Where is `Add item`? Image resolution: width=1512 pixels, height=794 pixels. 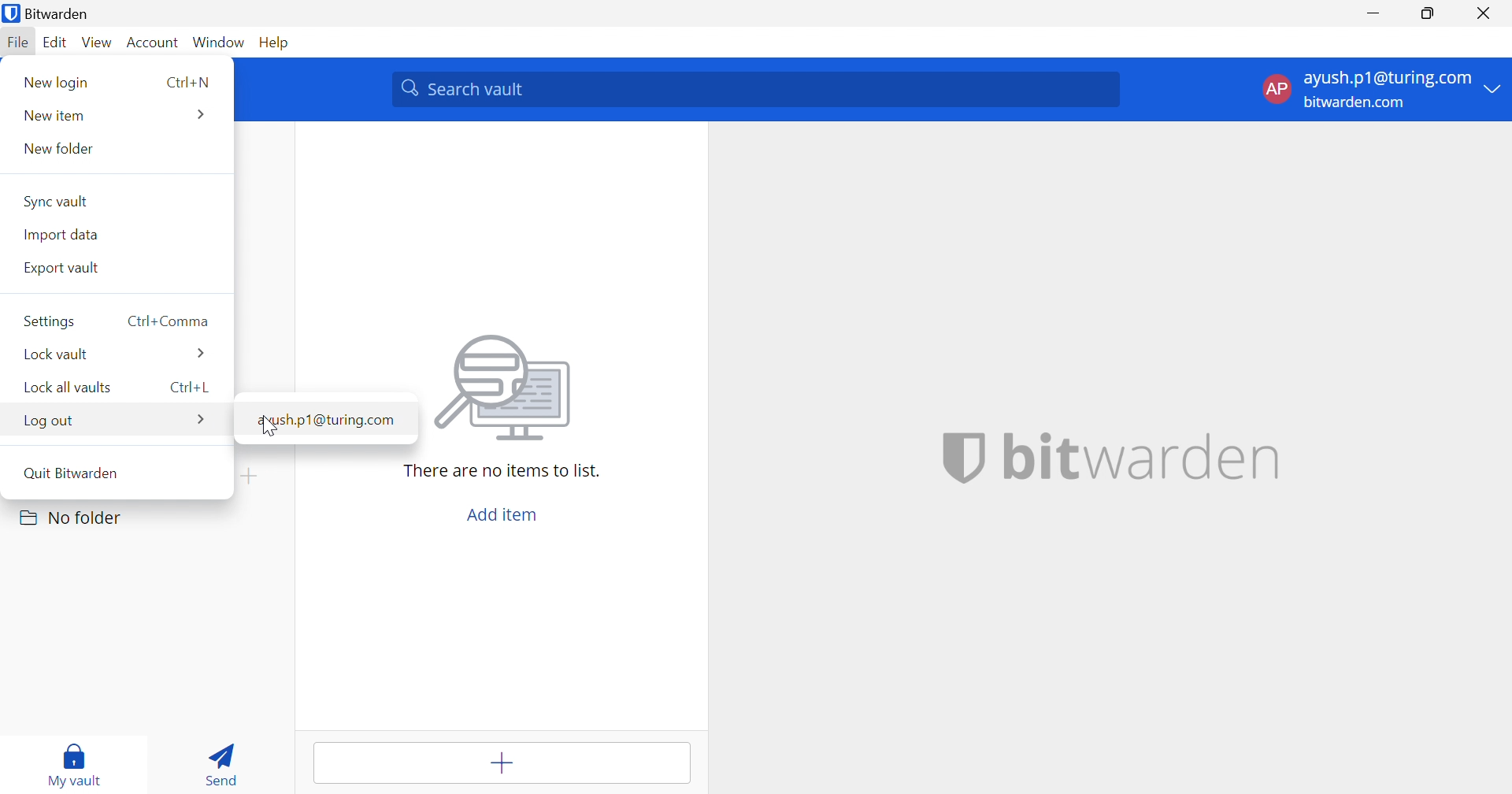
Add item is located at coordinates (502, 517).